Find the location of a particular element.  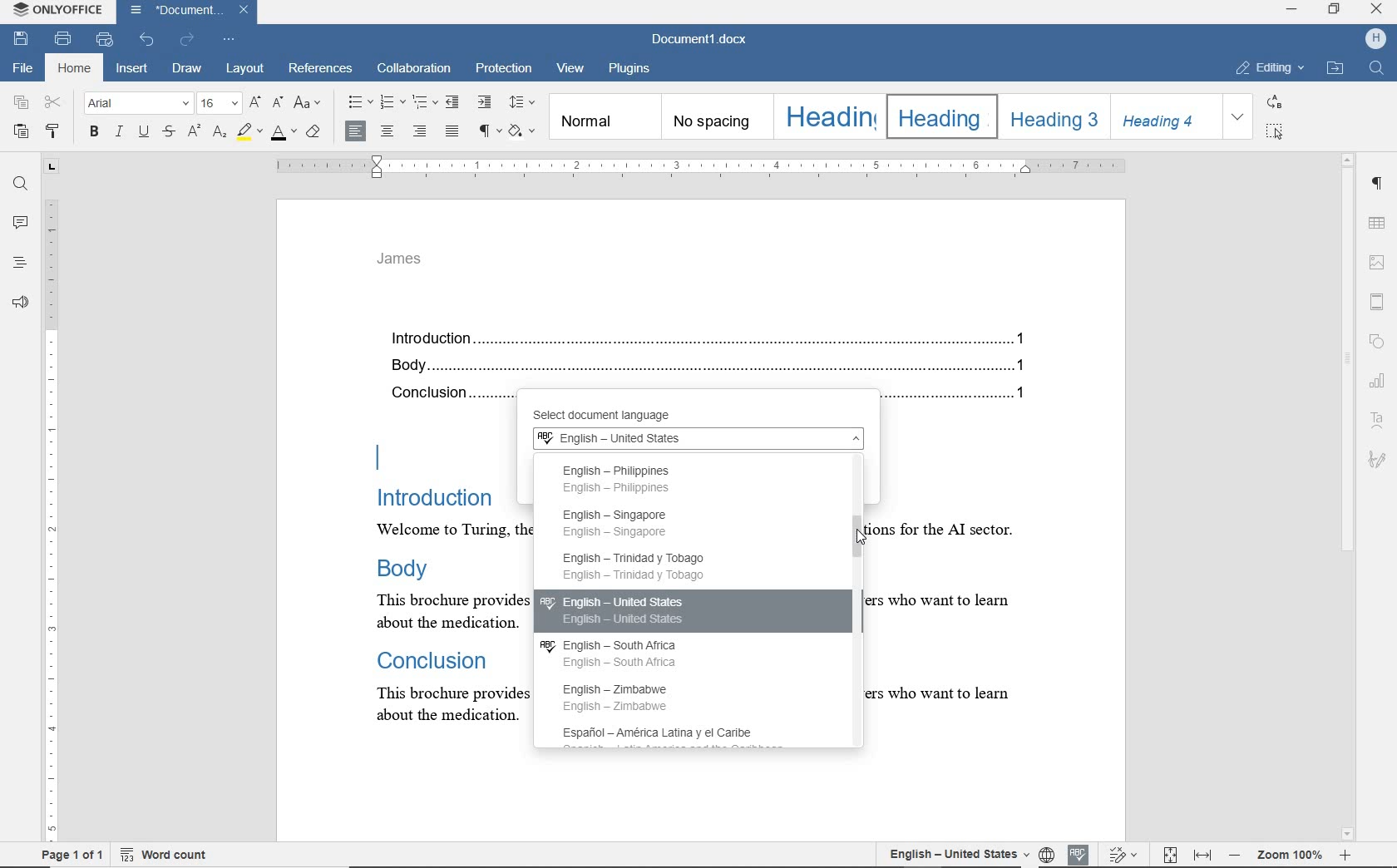

bold is located at coordinates (93, 133).